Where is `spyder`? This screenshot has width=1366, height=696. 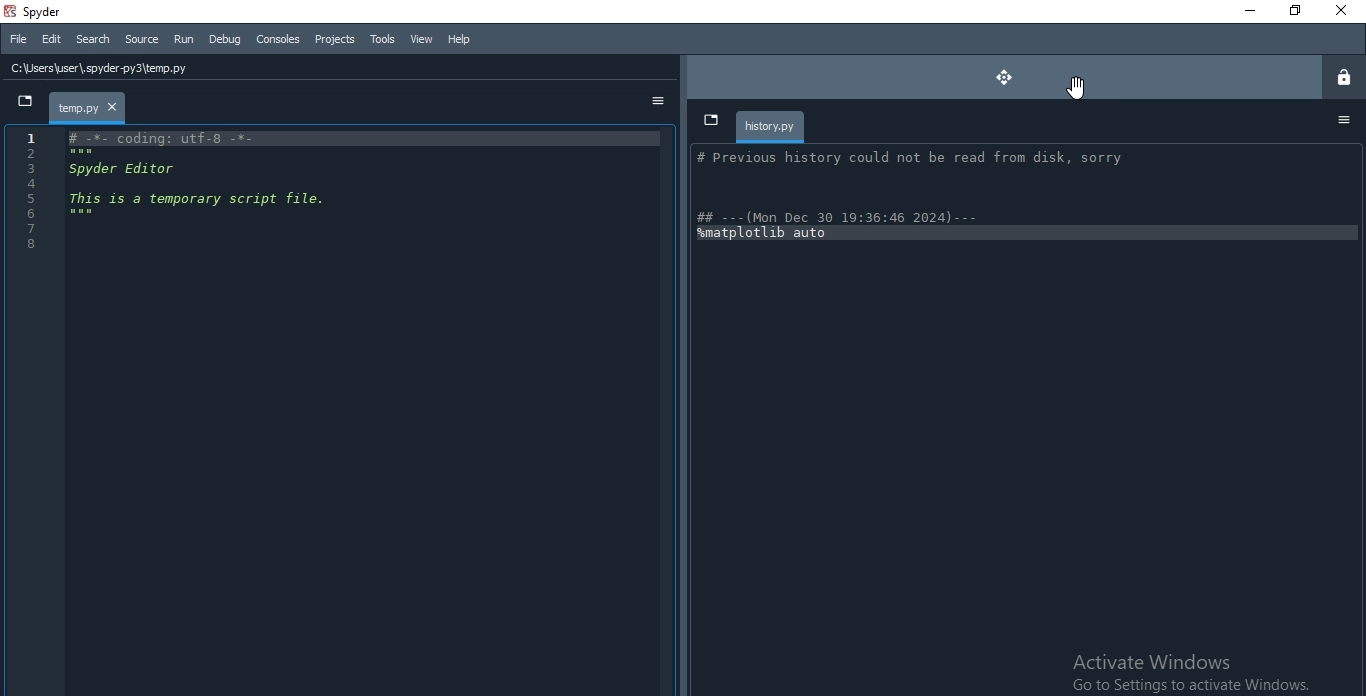
spyder is located at coordinates (40, 12).